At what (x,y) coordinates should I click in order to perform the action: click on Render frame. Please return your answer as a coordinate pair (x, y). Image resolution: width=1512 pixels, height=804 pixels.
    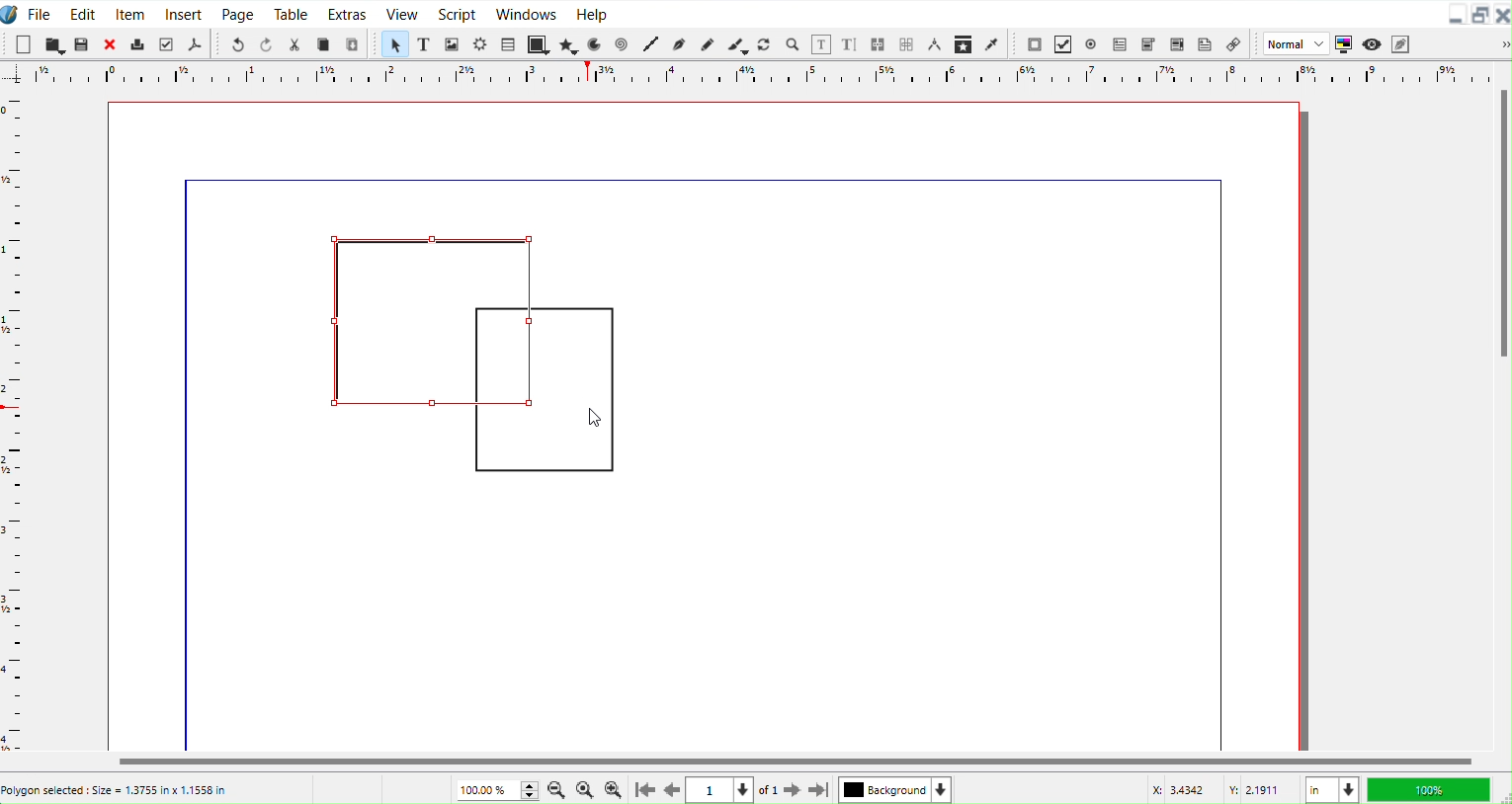
    Looking at the image, I should click on (481, 44).